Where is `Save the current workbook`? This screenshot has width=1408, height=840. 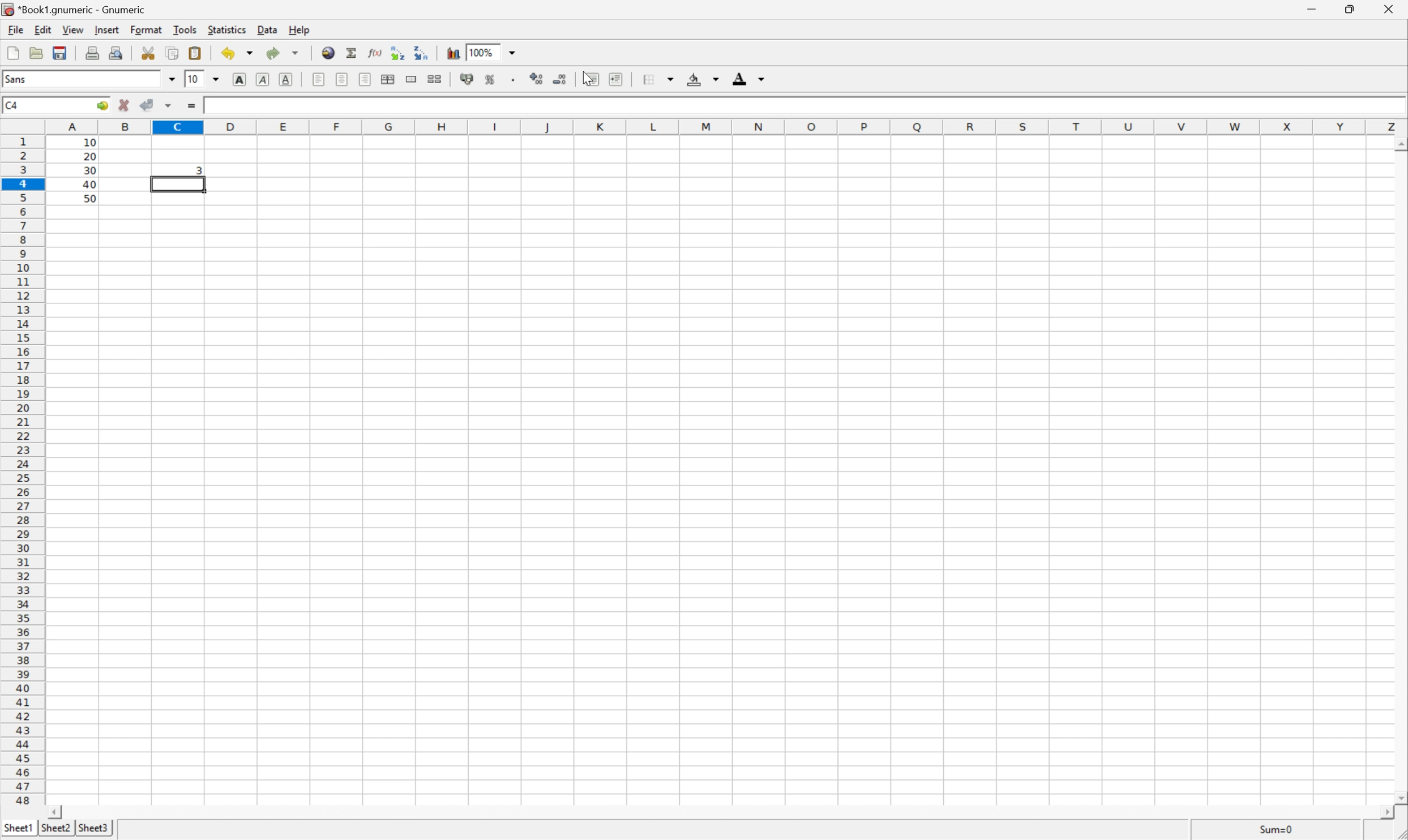 Save the current workbook is located at coordinates (60, 52).